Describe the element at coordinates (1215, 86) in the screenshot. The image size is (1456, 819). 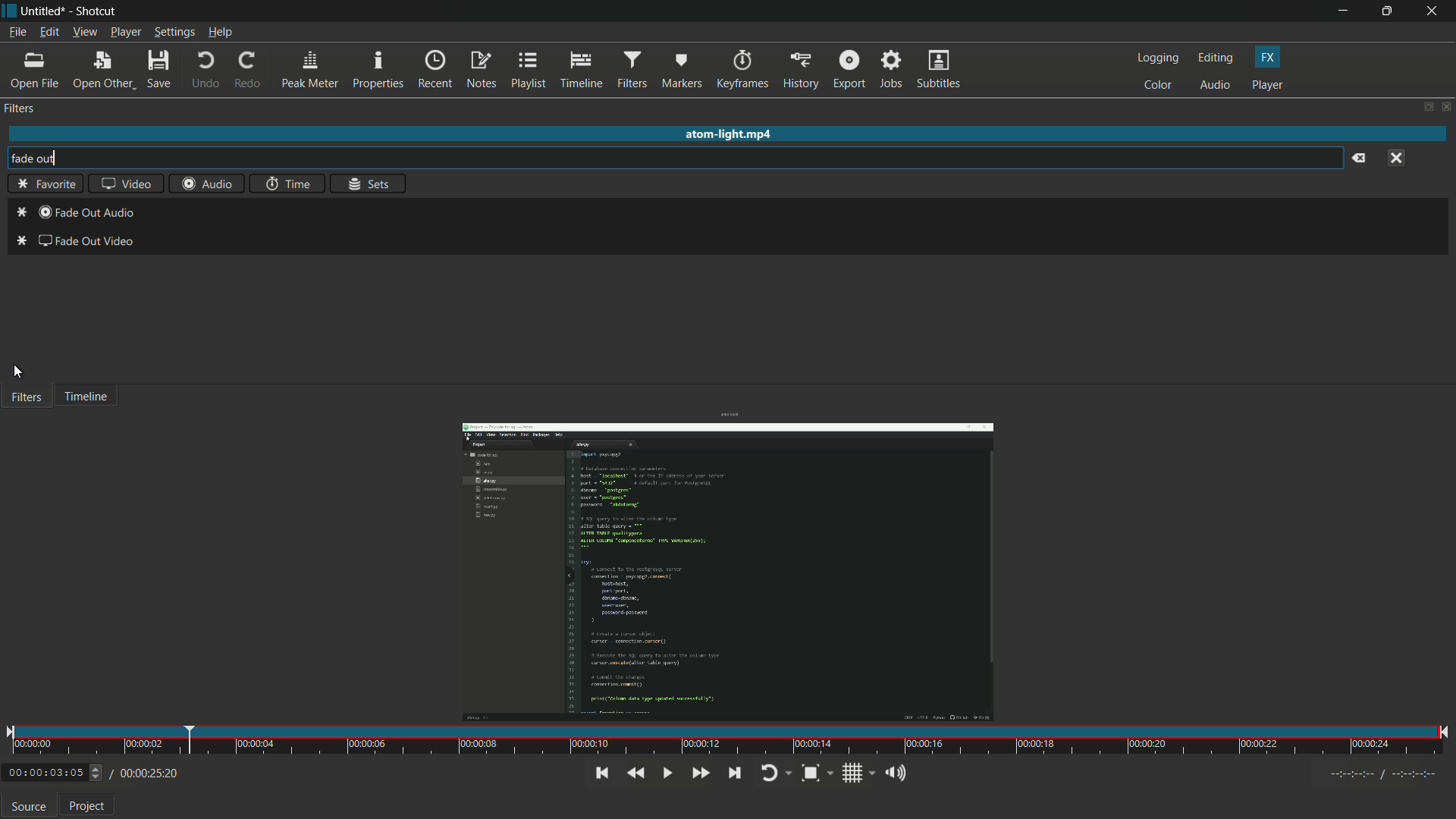
I see `audio` at that location.